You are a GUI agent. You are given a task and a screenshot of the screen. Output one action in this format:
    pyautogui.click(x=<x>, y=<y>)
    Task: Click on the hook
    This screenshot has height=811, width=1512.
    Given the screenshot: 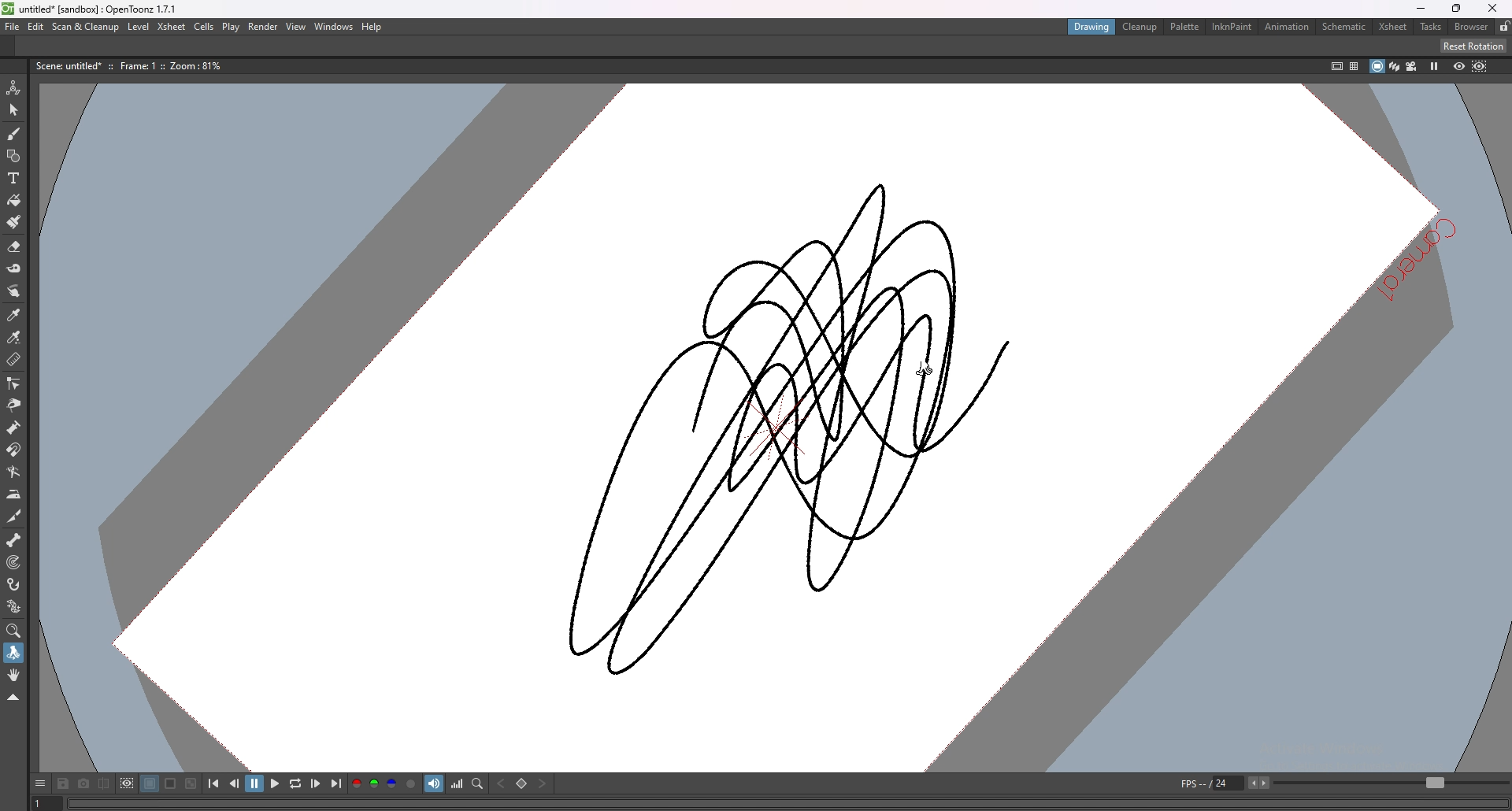 What is the action you would take?
    pyautogui.click(x=13, y=583)
    